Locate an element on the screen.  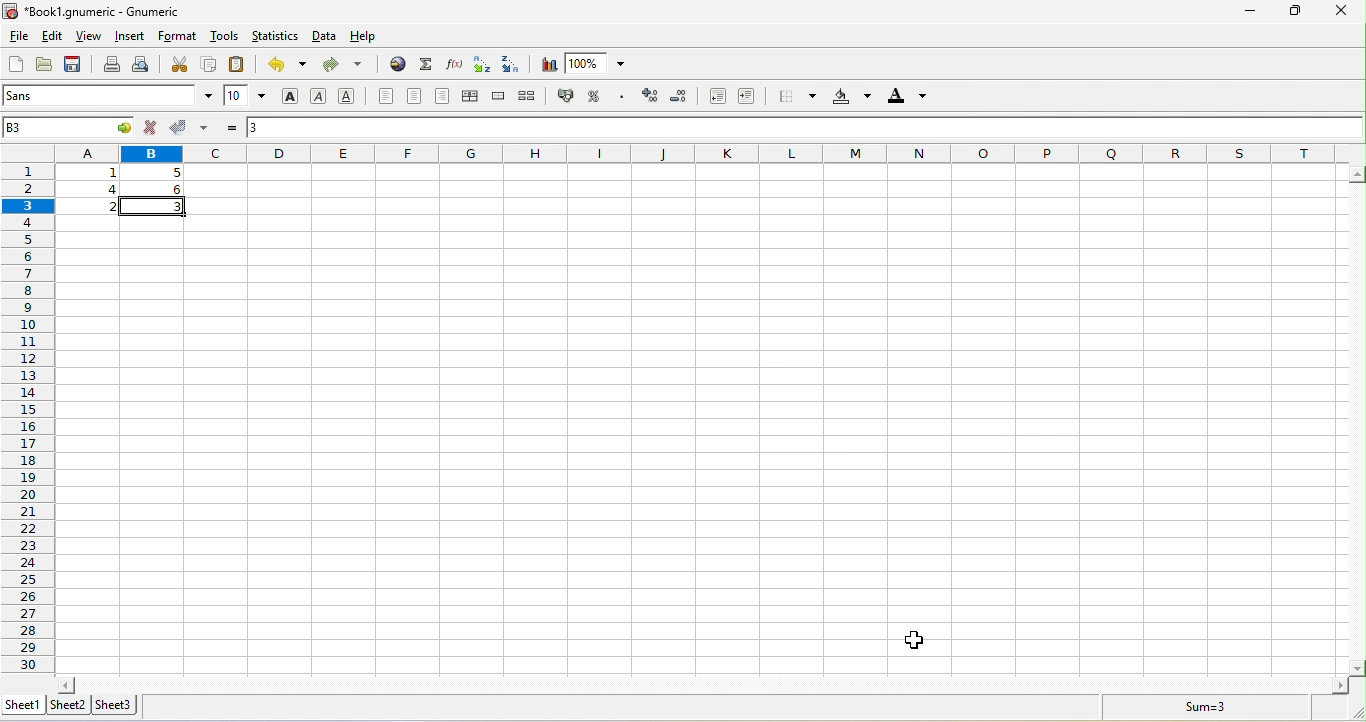
copy is located at coordinates (208, 65).